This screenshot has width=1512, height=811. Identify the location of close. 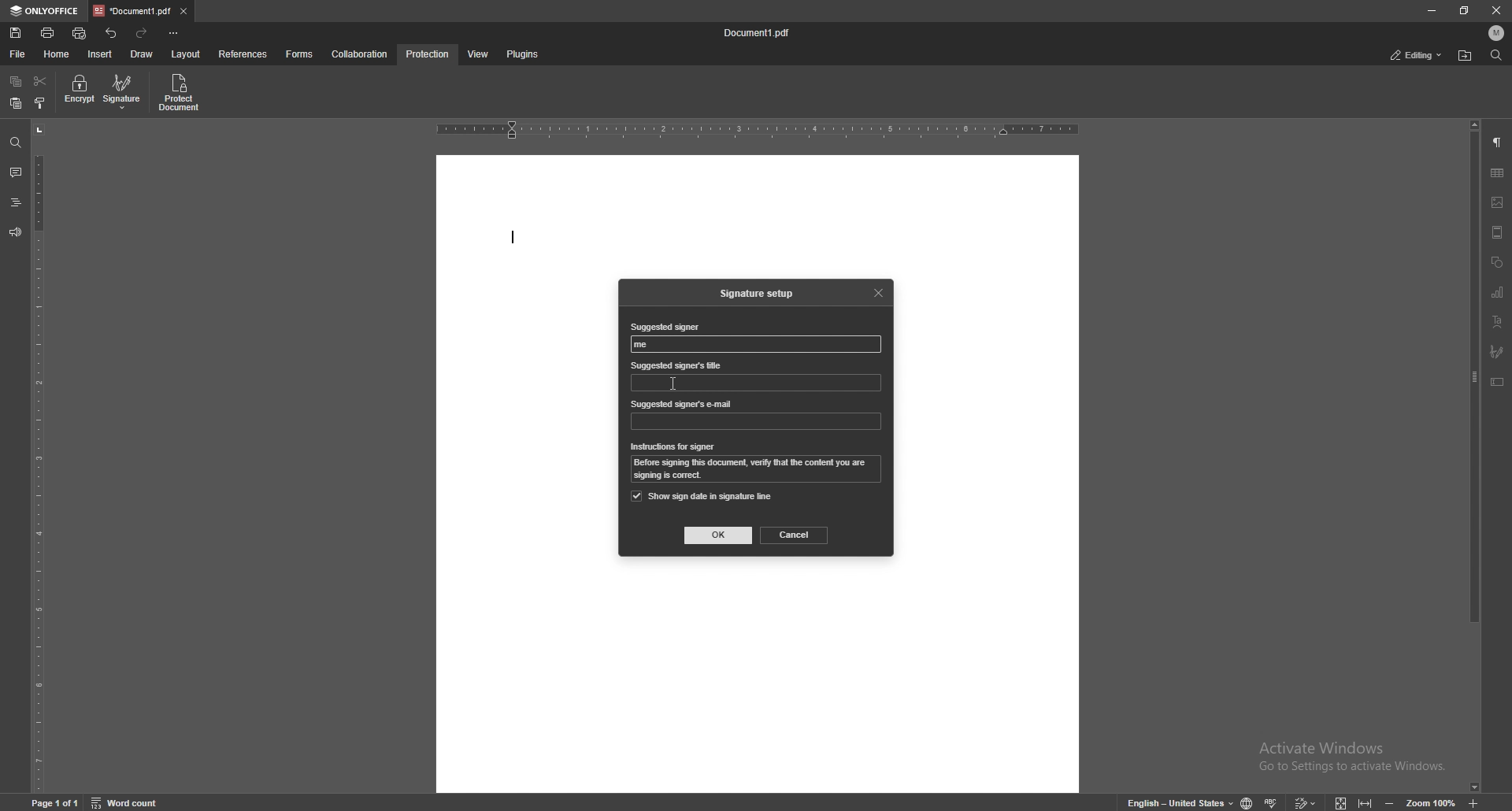
(880, 291).